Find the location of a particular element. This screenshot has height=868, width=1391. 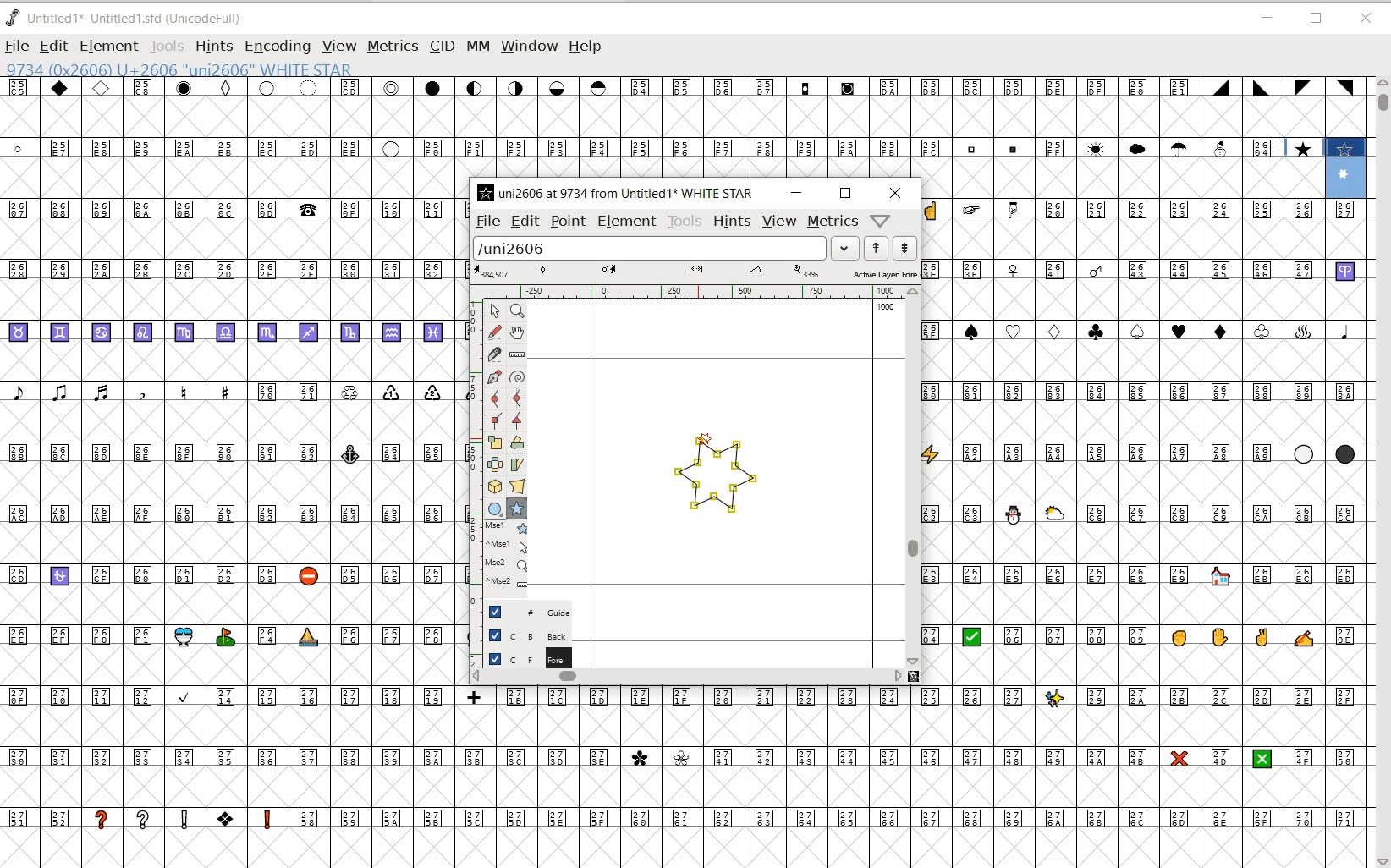

ENCODING is located at coordinates (276, 47).